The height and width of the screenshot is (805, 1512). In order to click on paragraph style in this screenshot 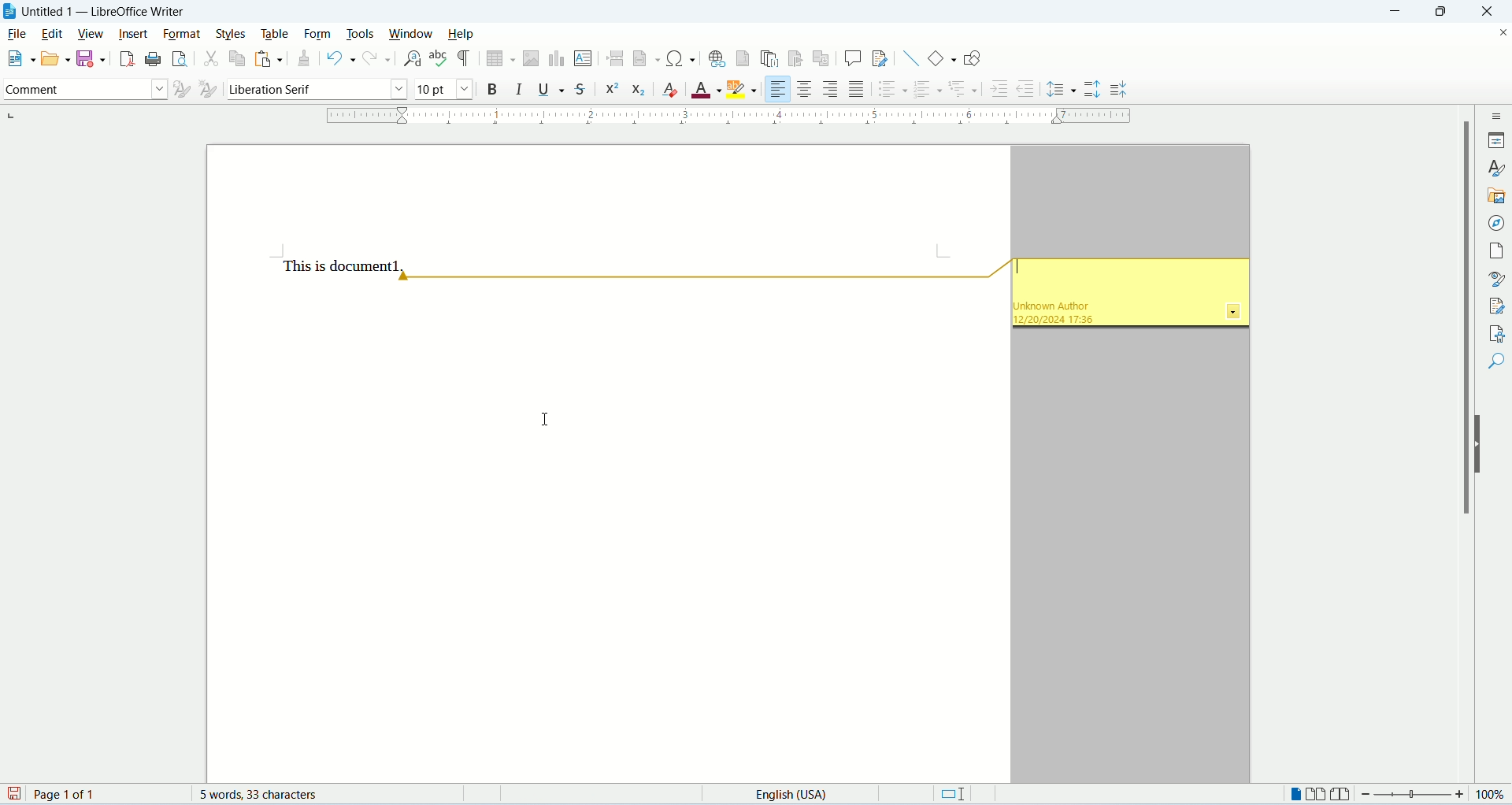, I will do `click(83, 91)`.